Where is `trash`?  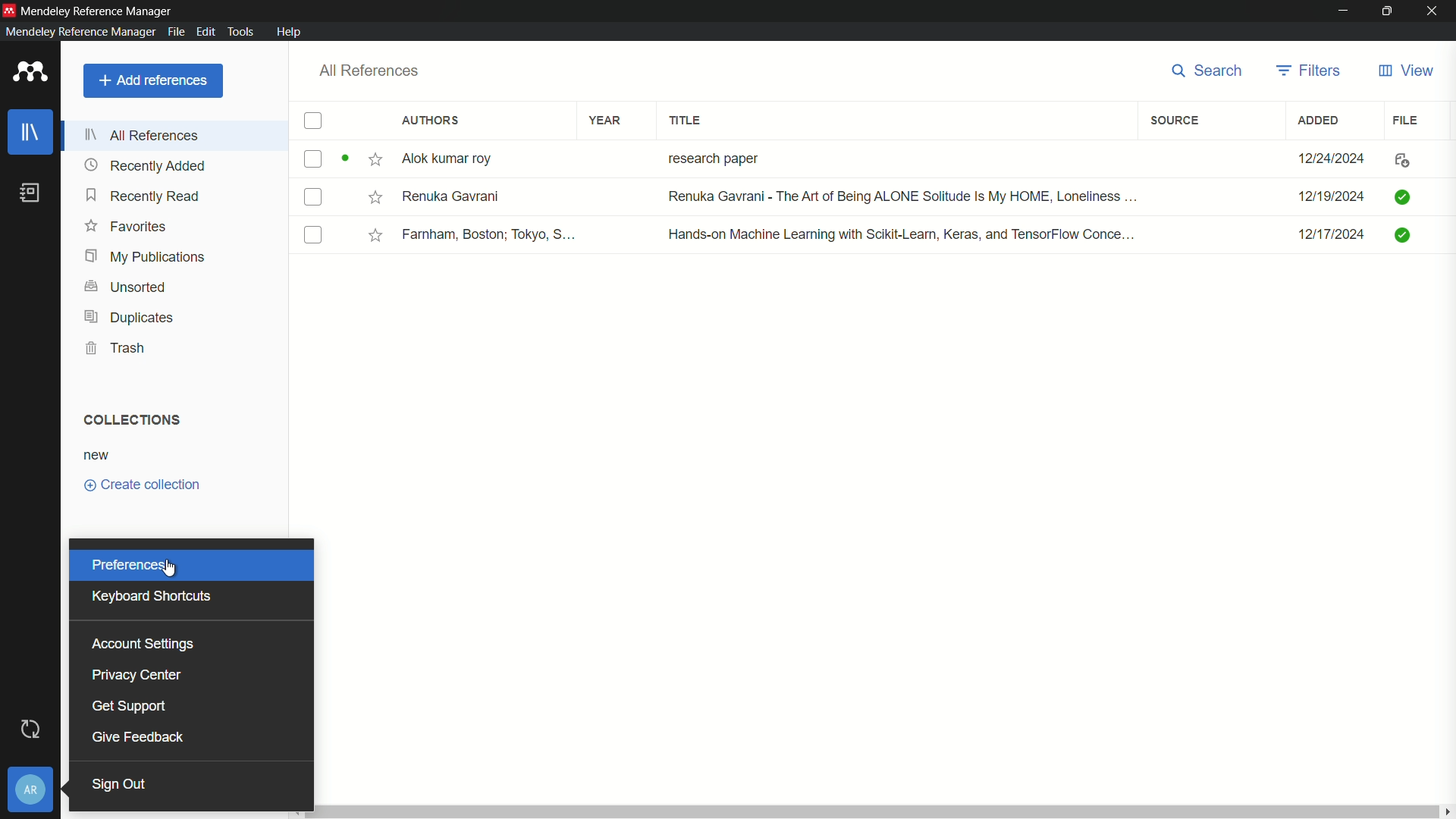 trash is located at coordinates (115, 348).